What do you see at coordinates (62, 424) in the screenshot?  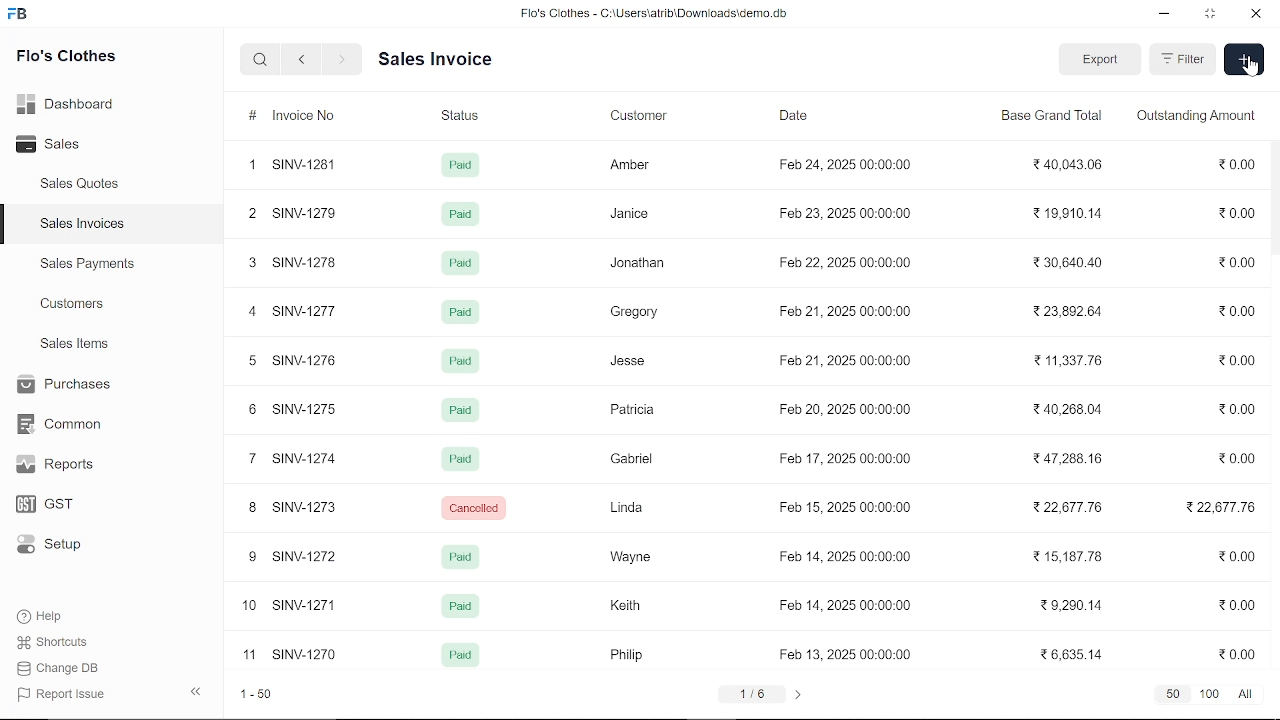 I see `Common` at bounding box center [62, 424].